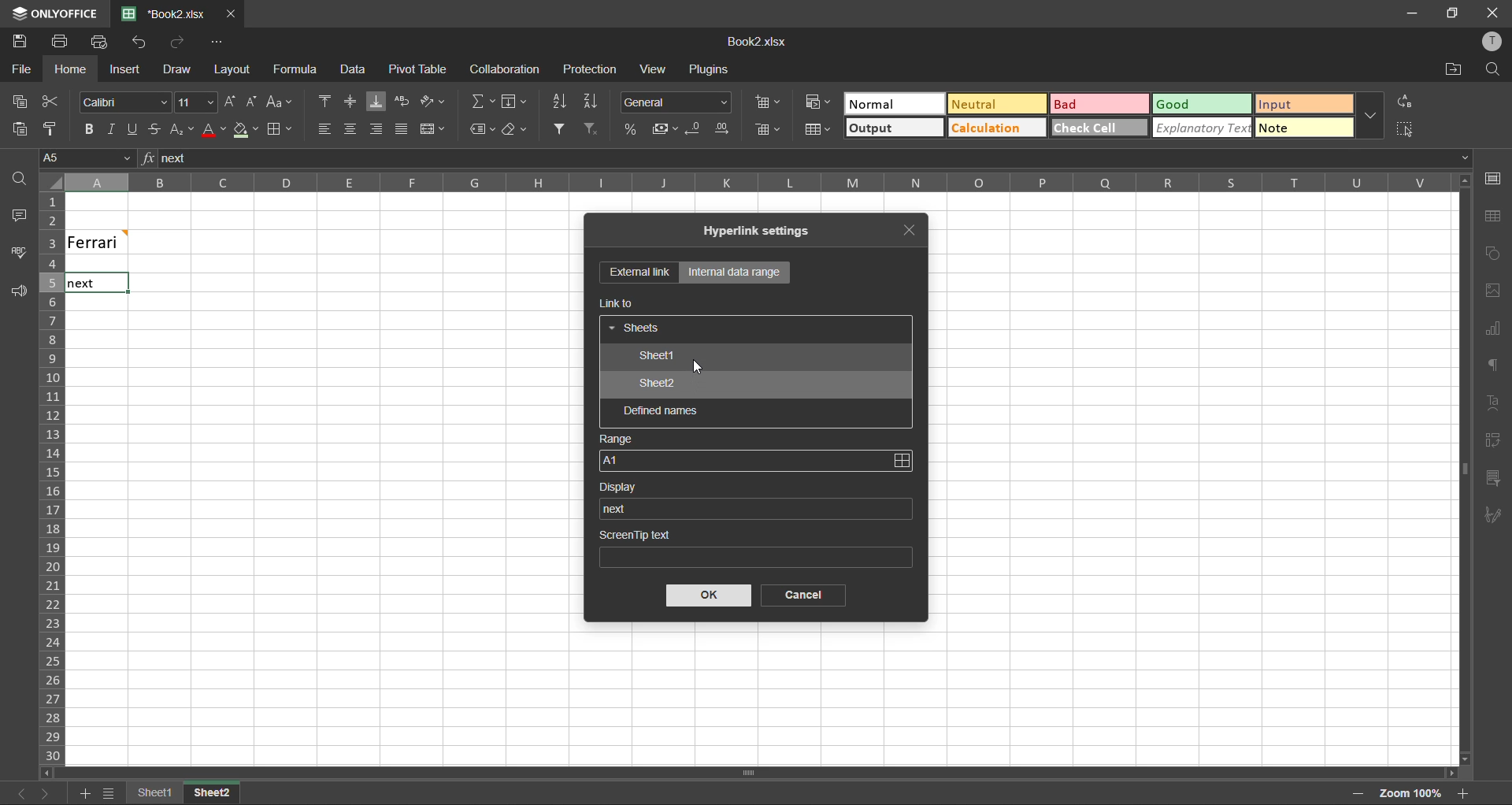 The height and width of the screenshot is (805, 1512). Describe the element at coordinates (696, 129) in the screenshot. I see `decrease decimal` at that location.